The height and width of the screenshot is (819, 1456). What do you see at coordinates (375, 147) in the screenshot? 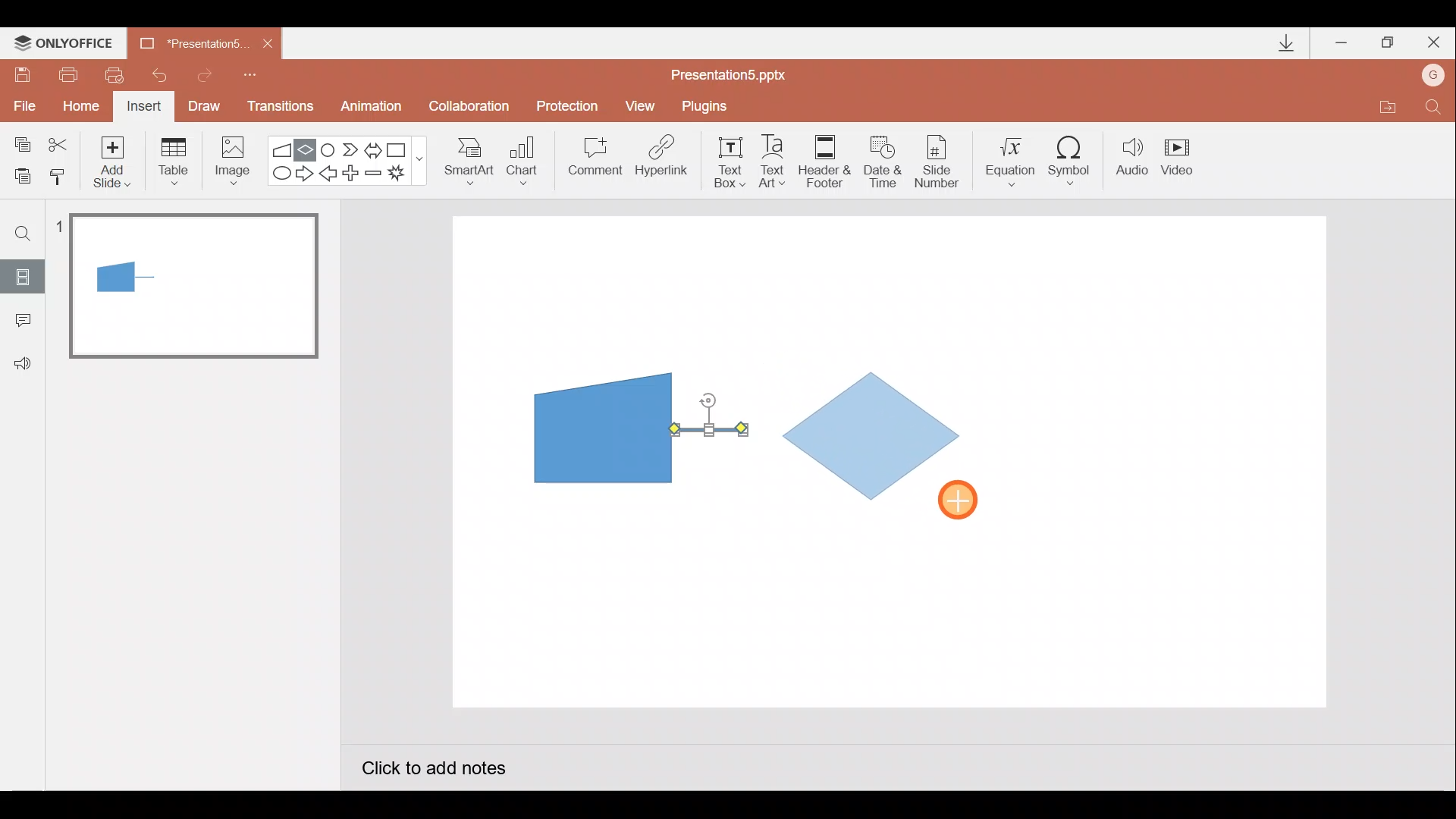
I see `Left right arrow` at bounding box center [375, 147].